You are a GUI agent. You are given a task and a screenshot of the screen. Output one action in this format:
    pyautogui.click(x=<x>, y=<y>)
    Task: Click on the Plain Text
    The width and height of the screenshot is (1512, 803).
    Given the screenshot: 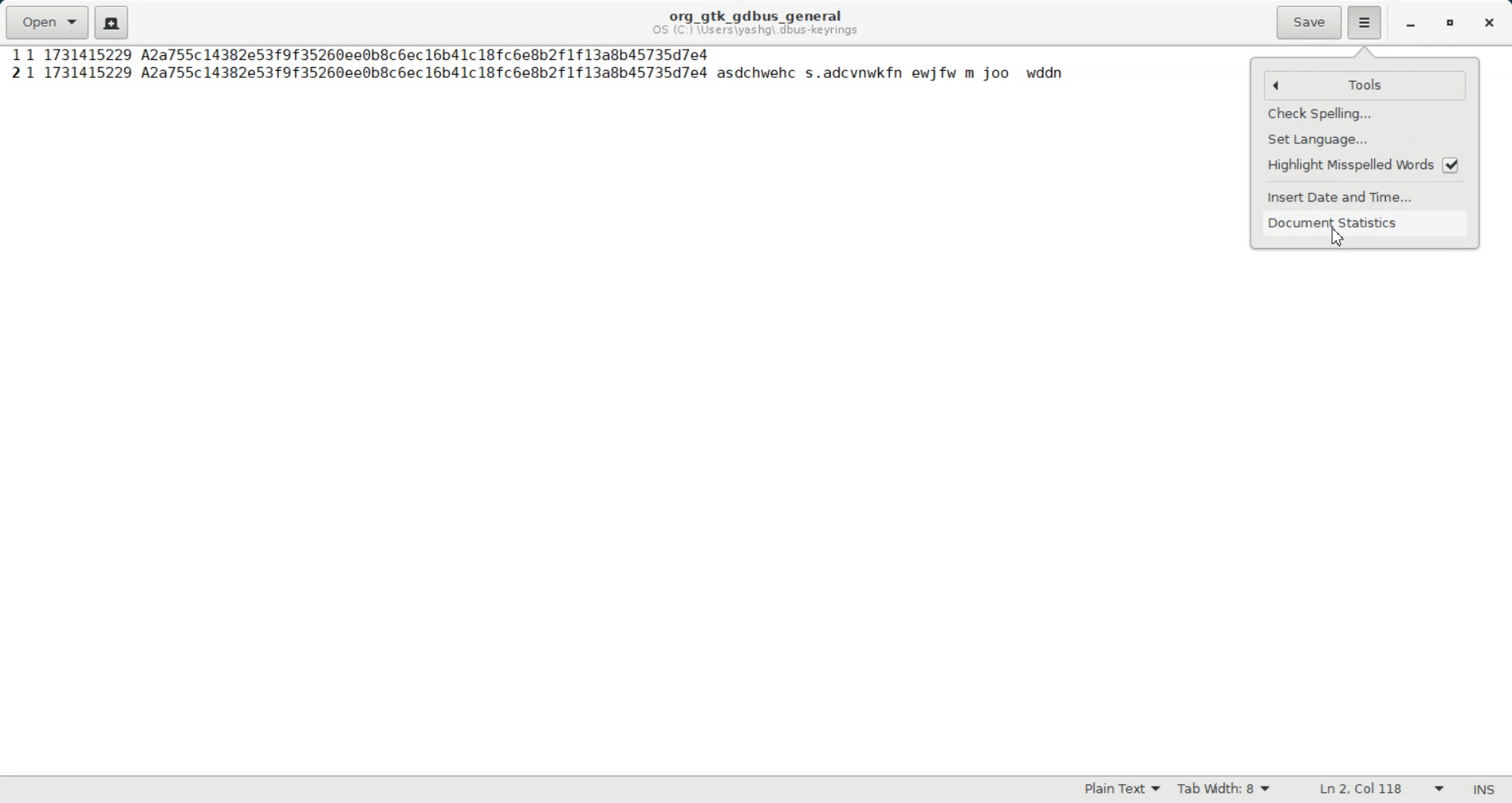 What is the action you would take?
    pyautogui.click(x=1120, y=789)
    